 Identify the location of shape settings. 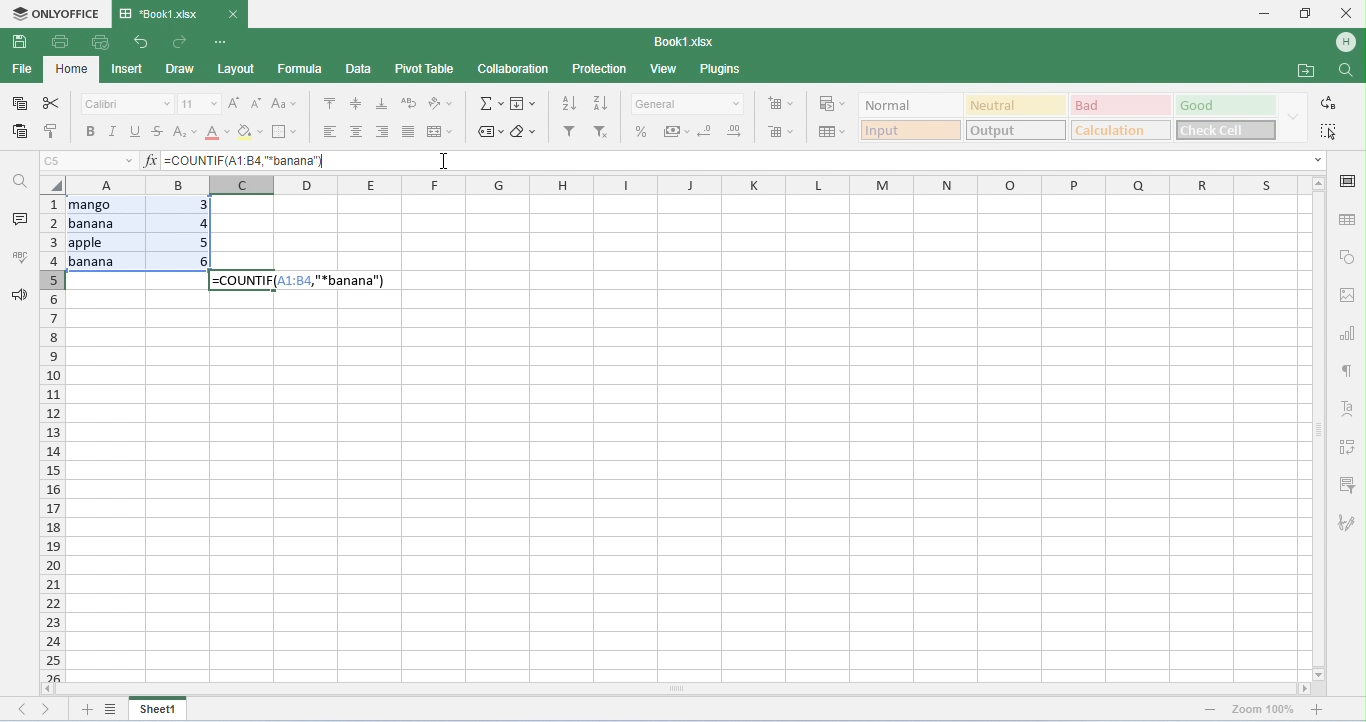
(1349, 258).